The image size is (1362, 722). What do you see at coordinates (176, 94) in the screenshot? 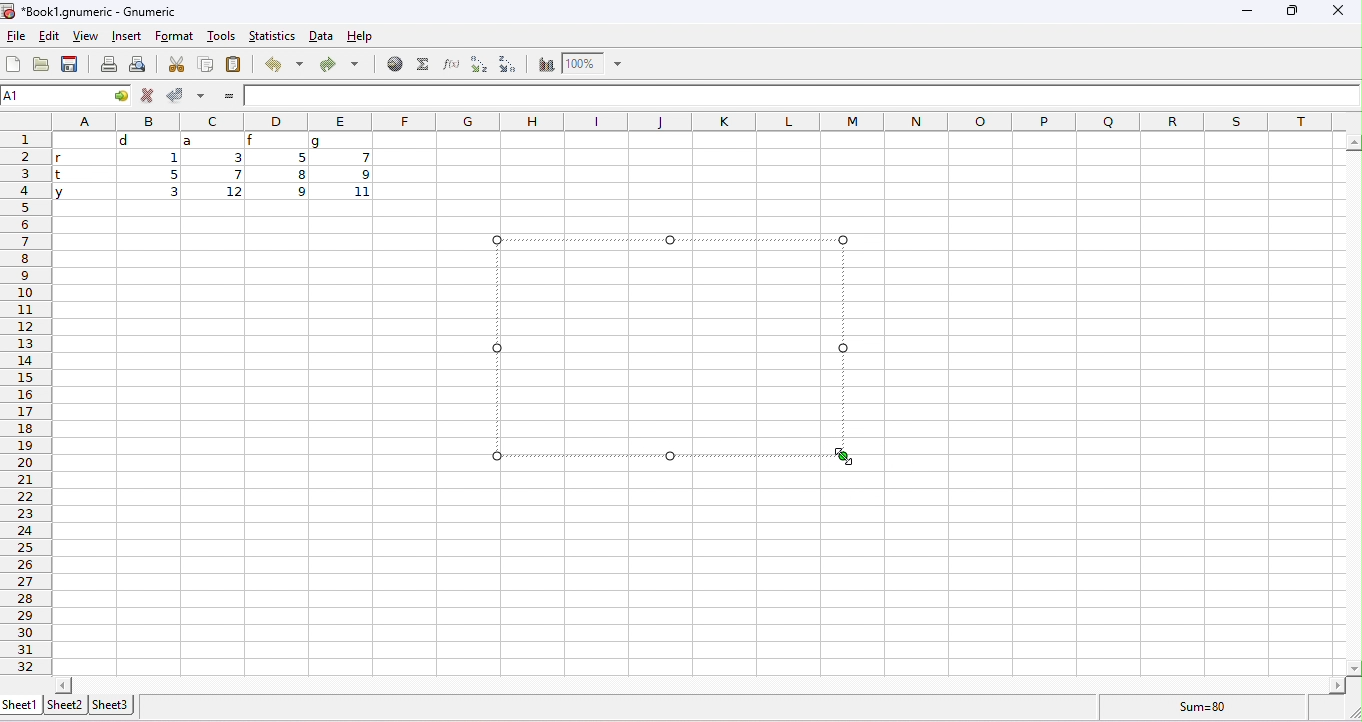
I see `accept changes` at bounding box center [176, 94].